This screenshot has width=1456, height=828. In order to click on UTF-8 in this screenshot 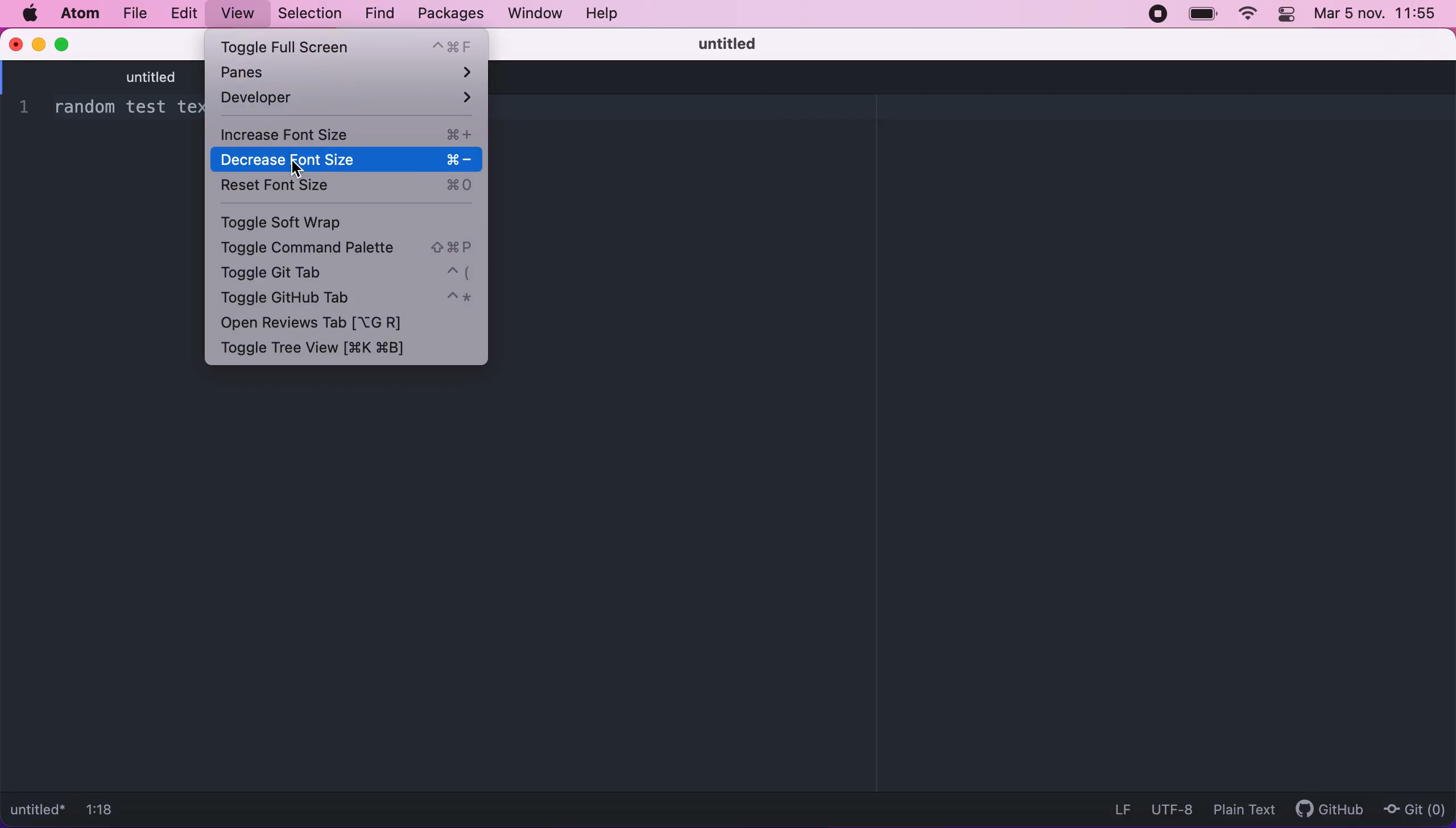, I will do `click(1173, 809)`.